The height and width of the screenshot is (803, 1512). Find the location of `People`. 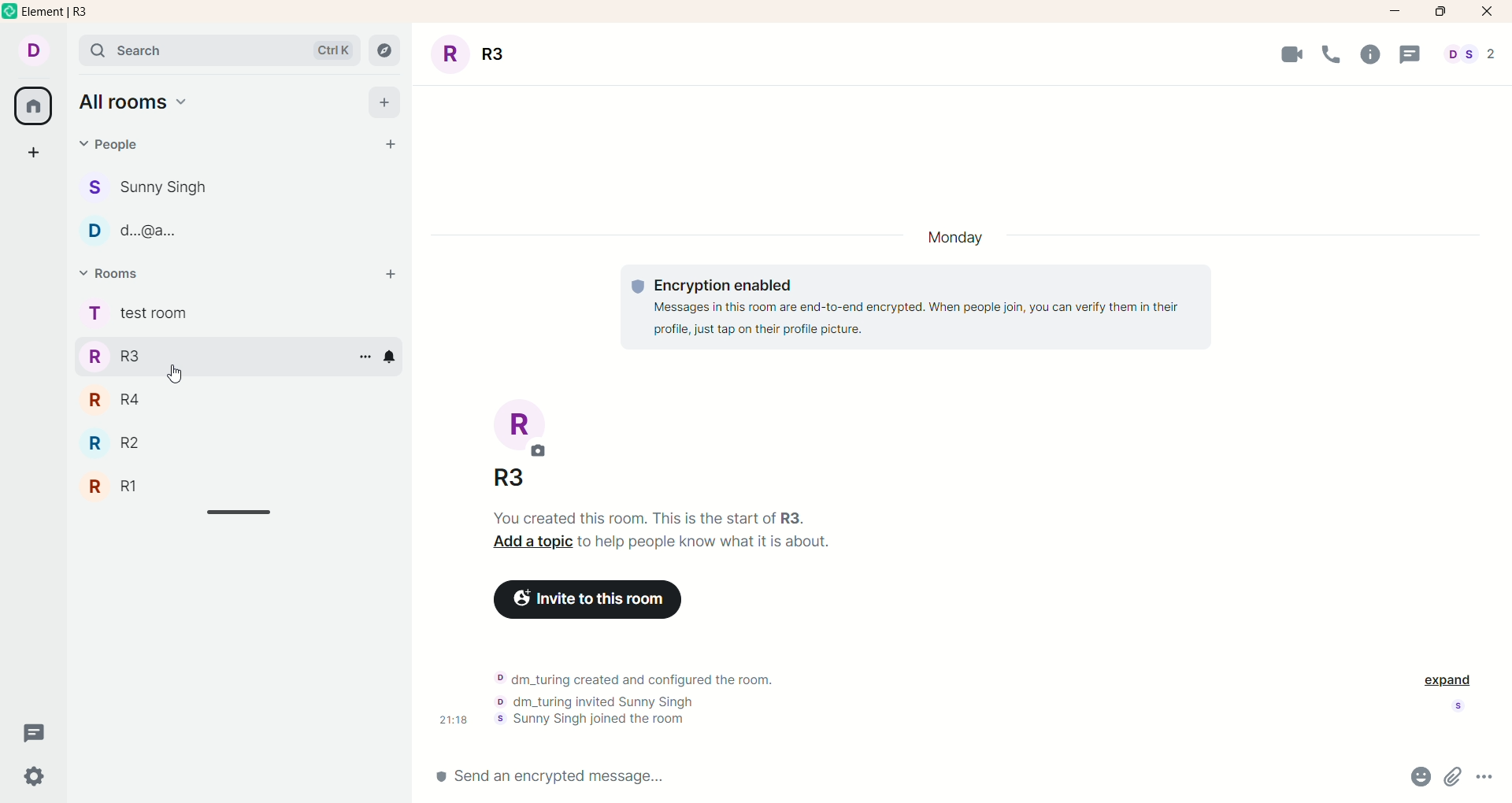

People is located at coordinates (170, 235).